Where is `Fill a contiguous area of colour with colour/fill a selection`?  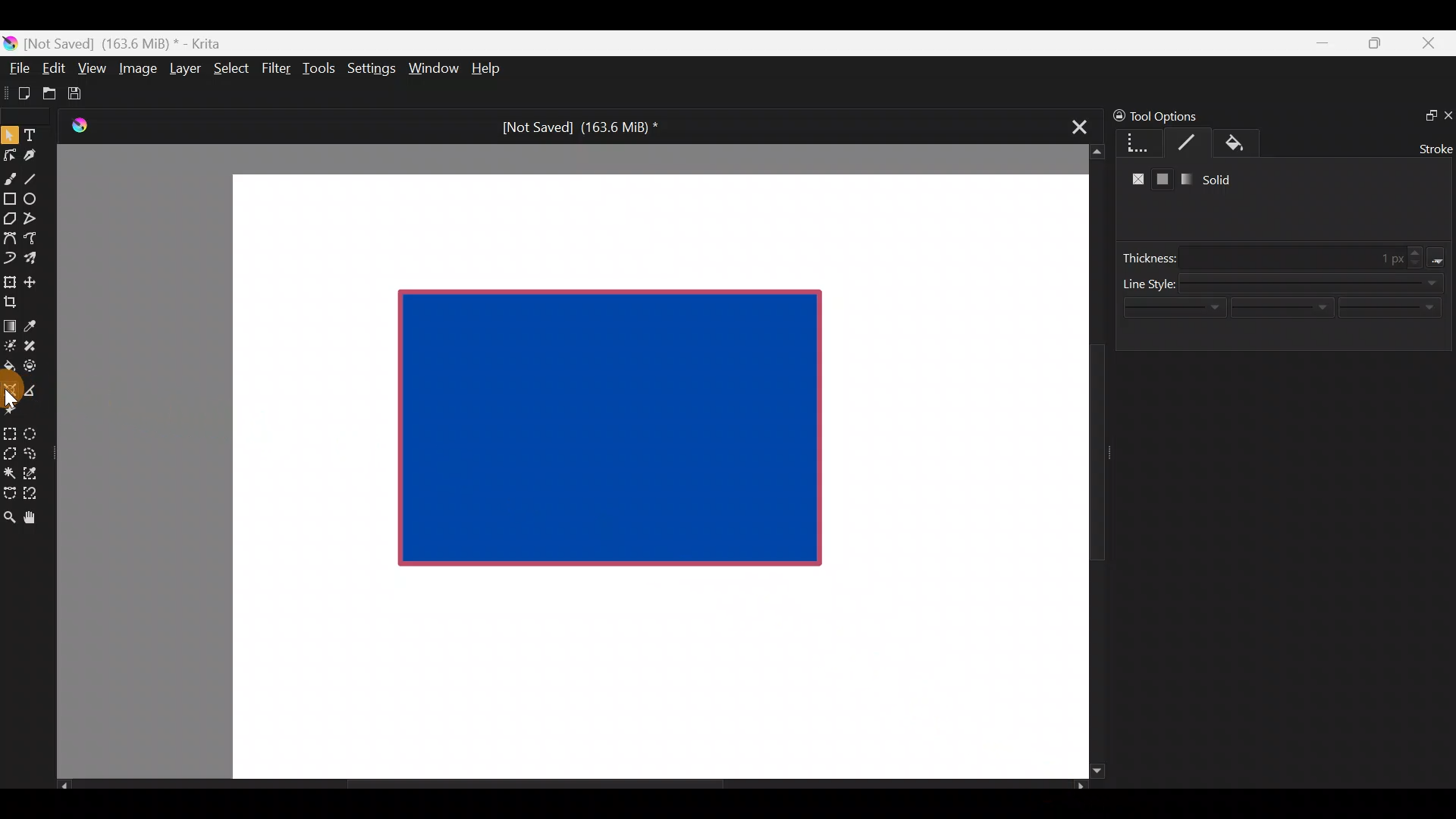
Fill a contiguous area of colour with colour/fill a selection is located at coordinates (9, 362).